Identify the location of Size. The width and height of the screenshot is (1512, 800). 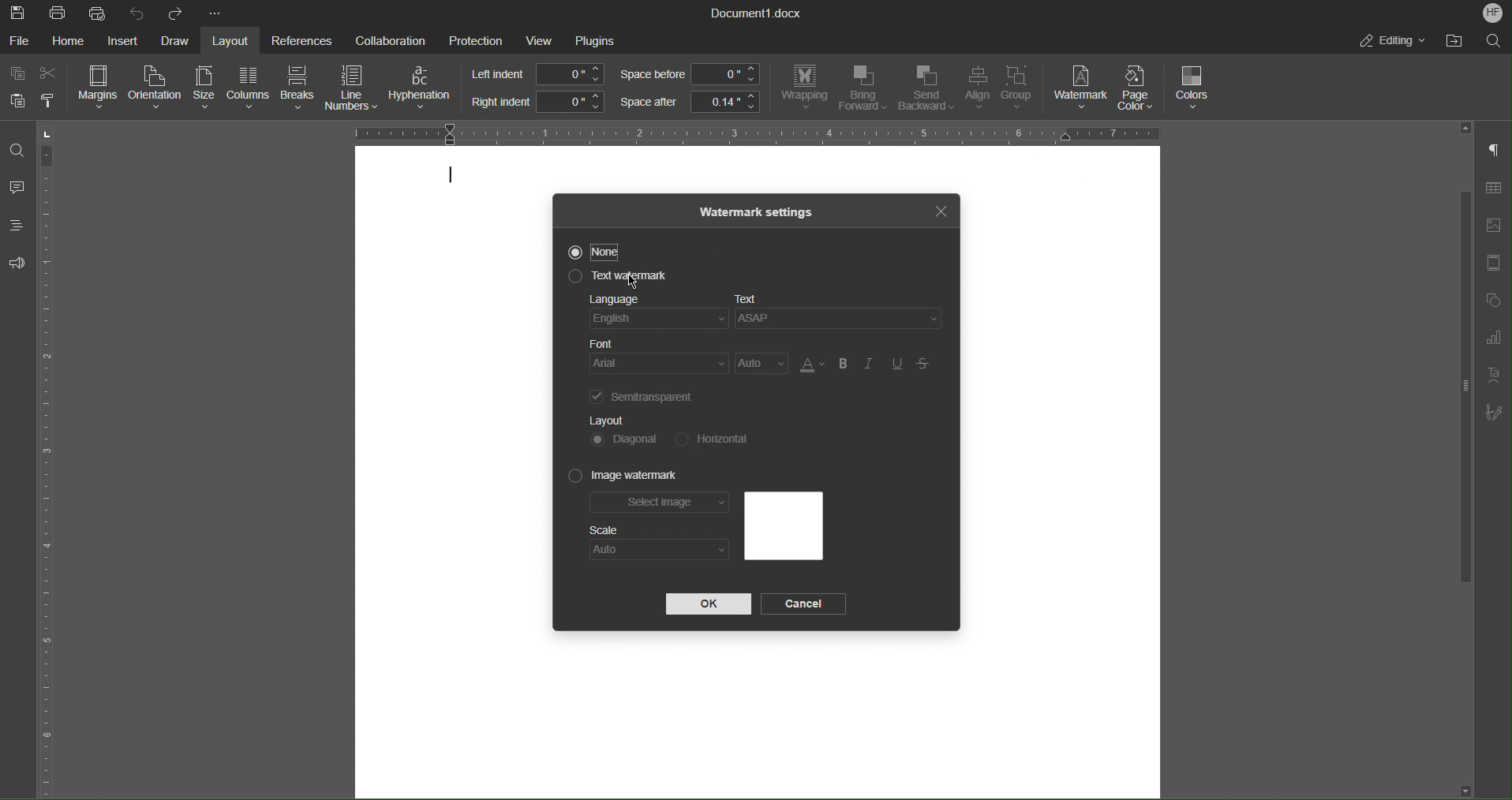
(202, 88).